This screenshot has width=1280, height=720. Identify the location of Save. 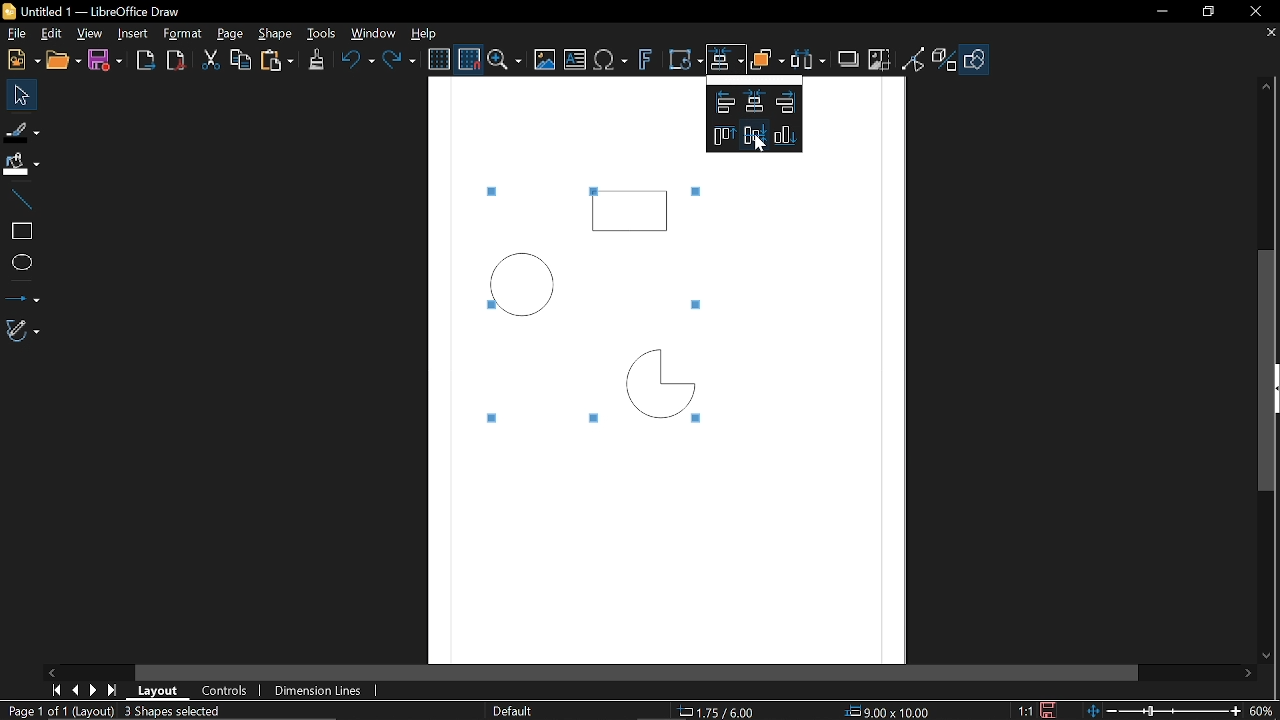
(1046, 709).